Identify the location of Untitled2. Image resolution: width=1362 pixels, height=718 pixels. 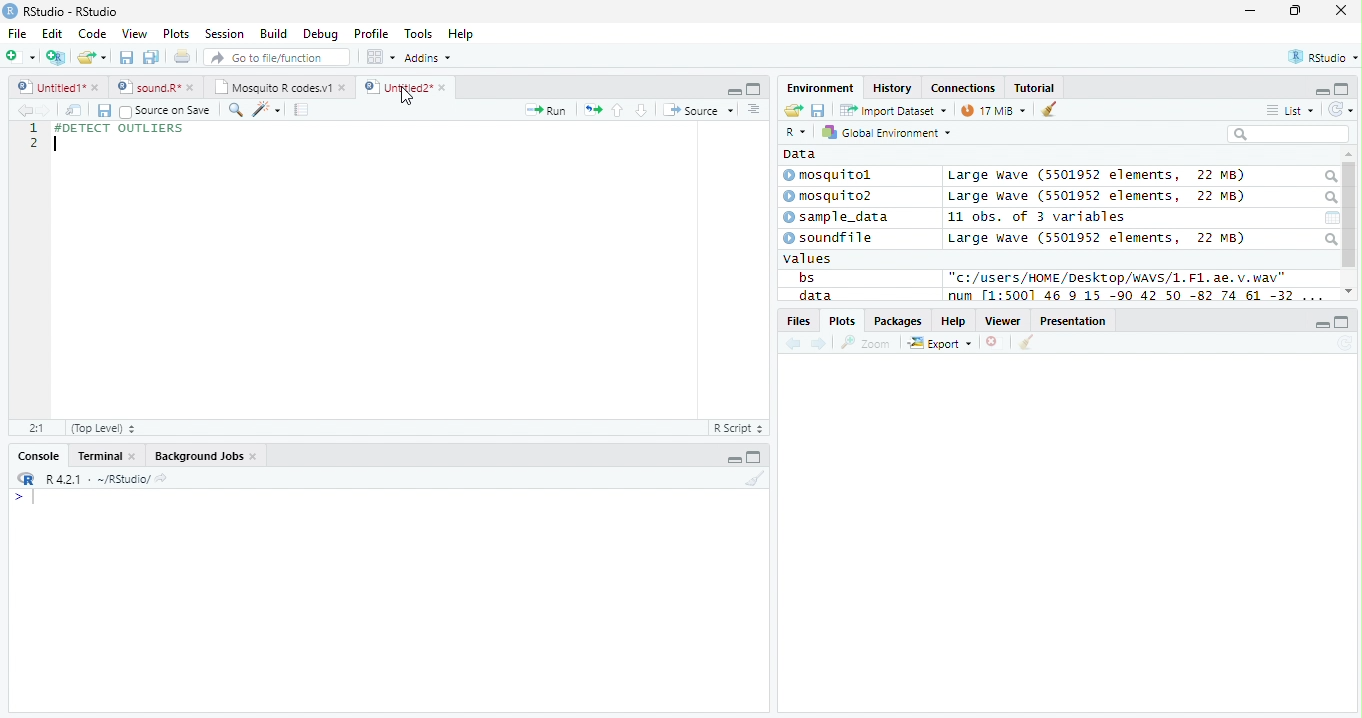
(405, 88).